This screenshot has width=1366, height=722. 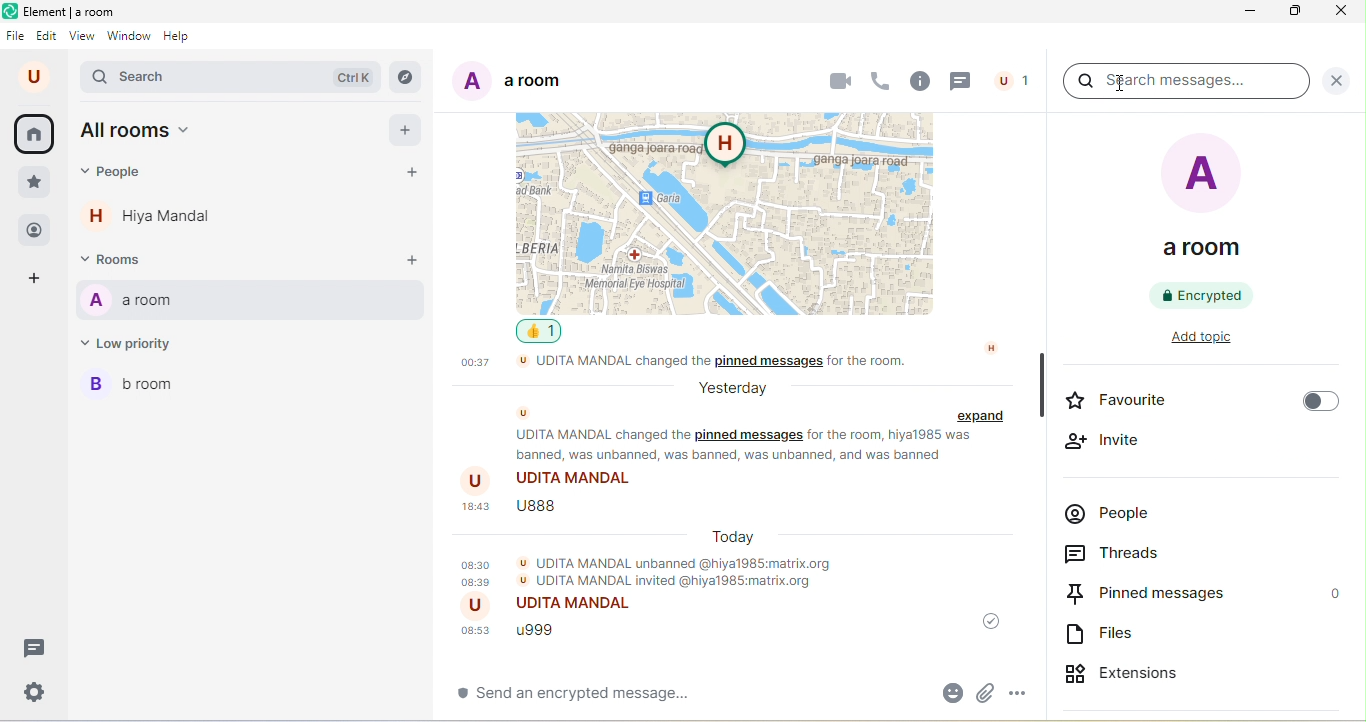 I want to click on encrypted, so click(x=1204, y=295).